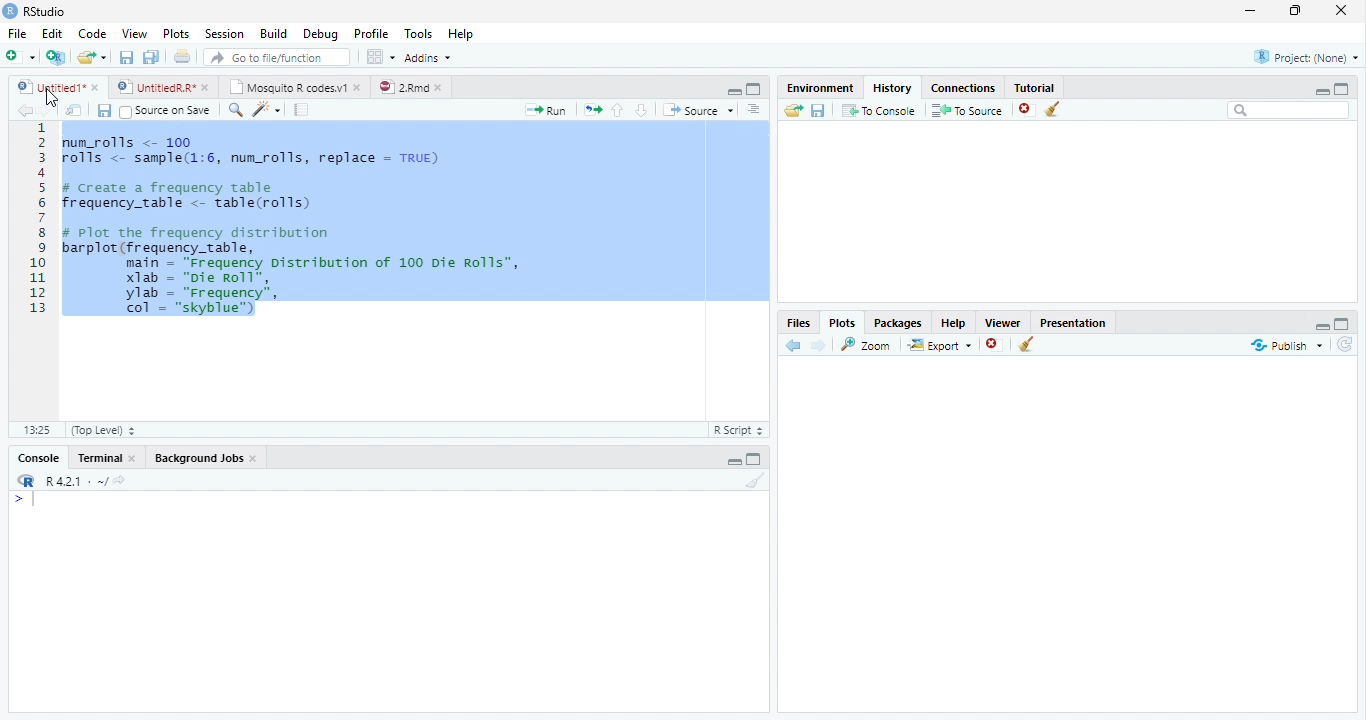  Describe the element at coordinates (967, 110) in the screenshot. I see `To Source` at that location.